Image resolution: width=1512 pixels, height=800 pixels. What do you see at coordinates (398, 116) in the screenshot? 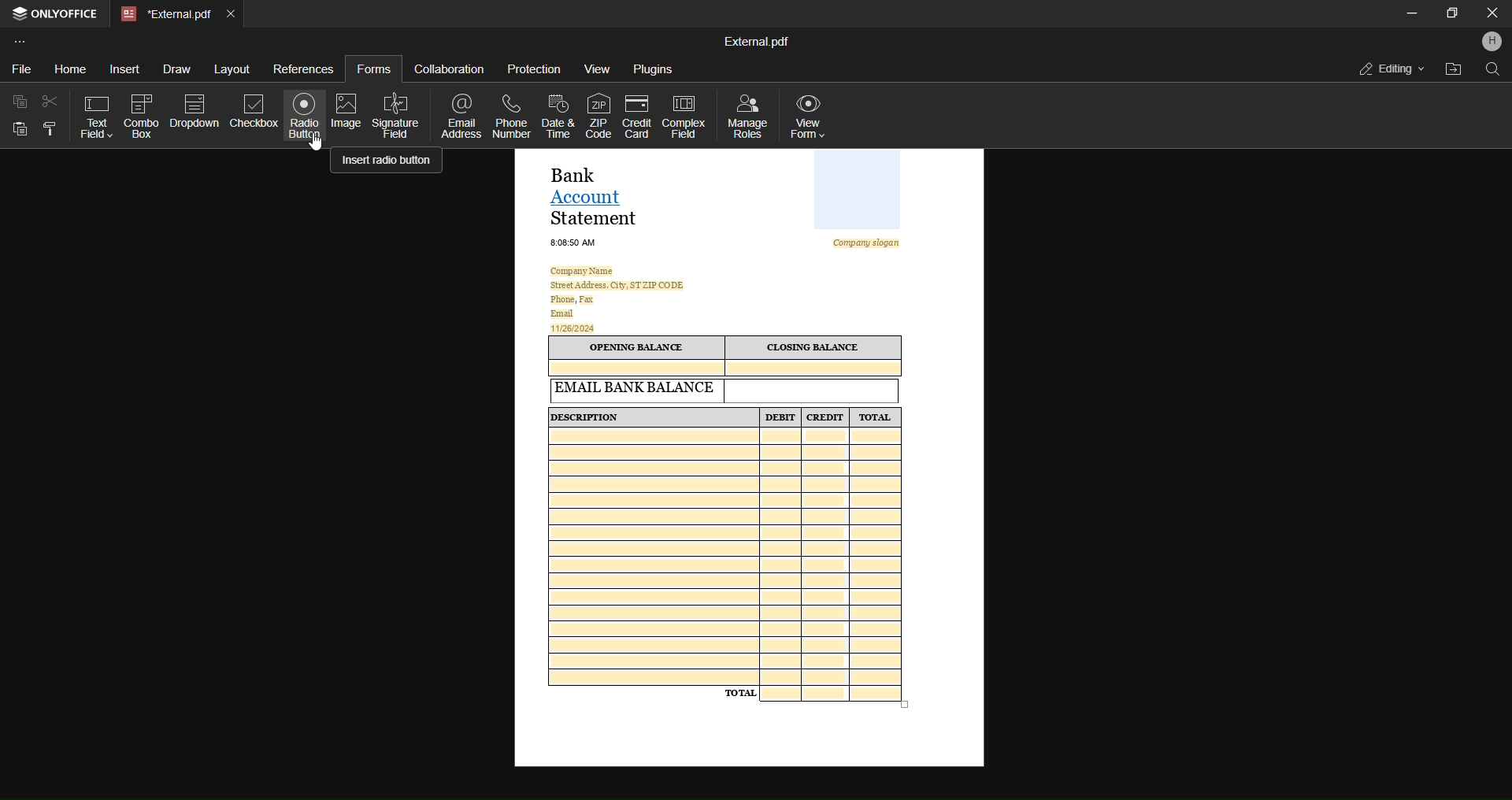
I see `signature field` at bounding box center [398, 116].